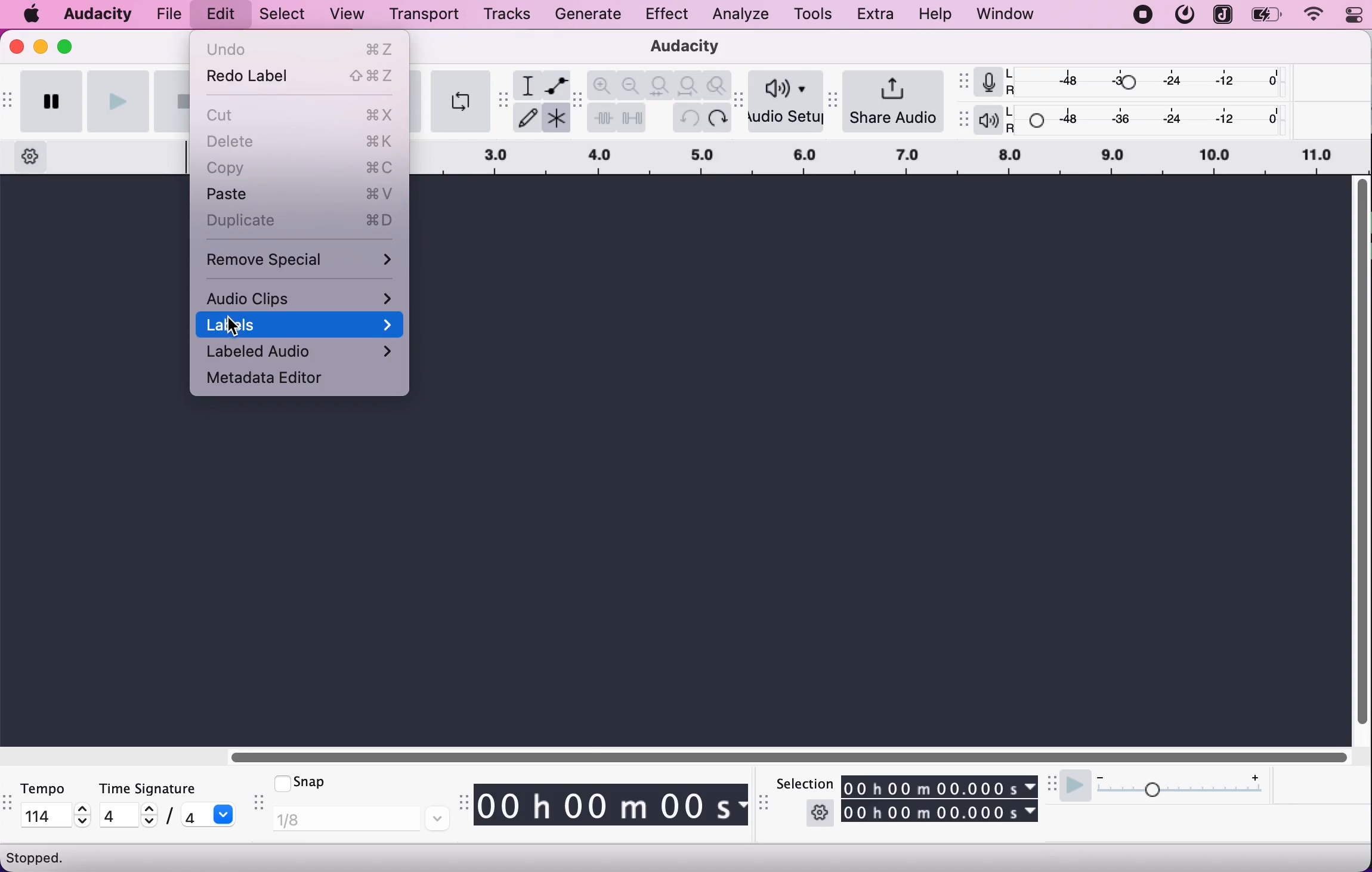  What do you see at coordinates (690, 85) in the screenshot?
I see `fit project to width` at bounding box center [690, 85].